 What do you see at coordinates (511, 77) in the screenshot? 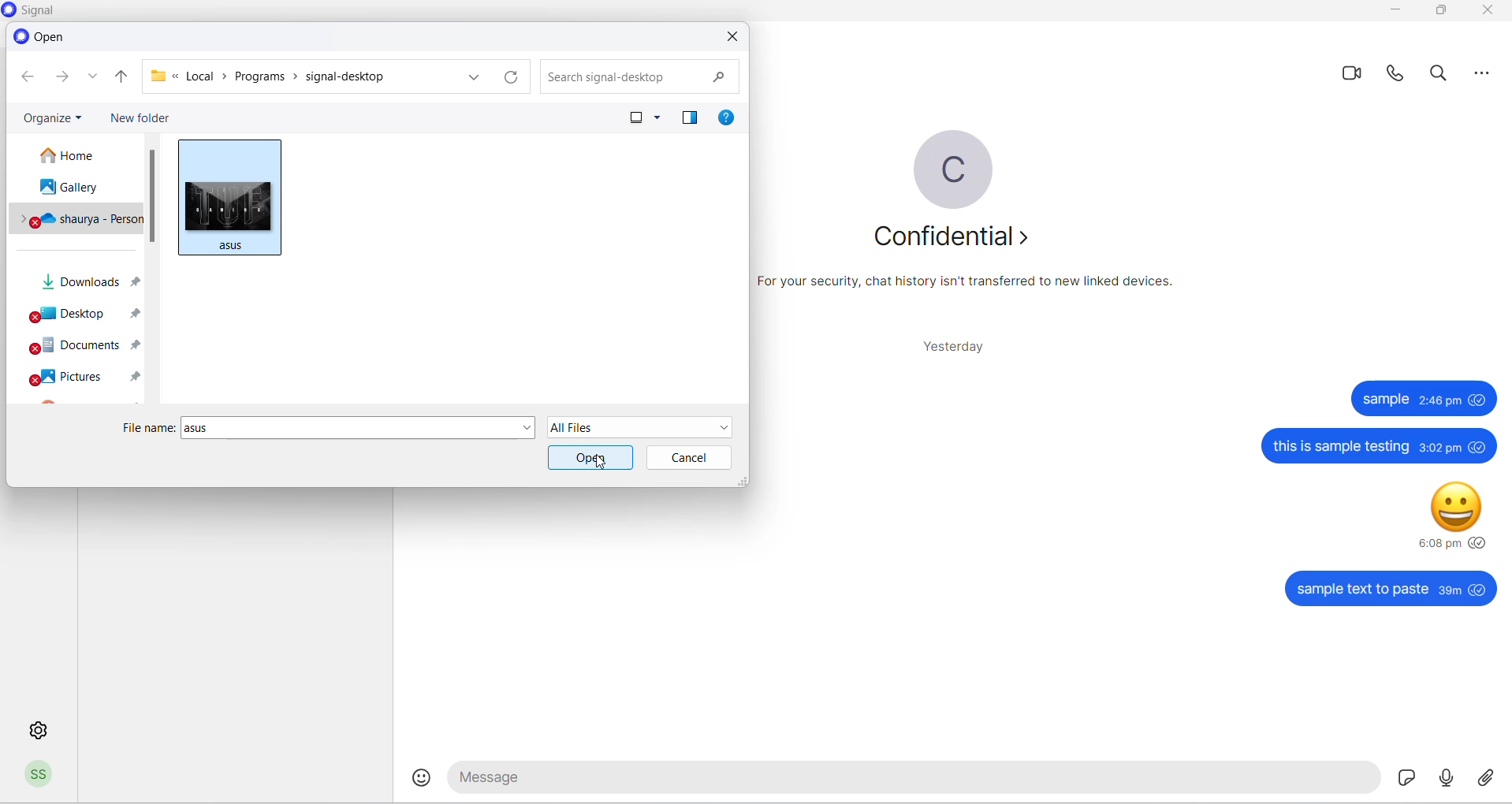
I see `refresh` at bounding box center [511, 77].